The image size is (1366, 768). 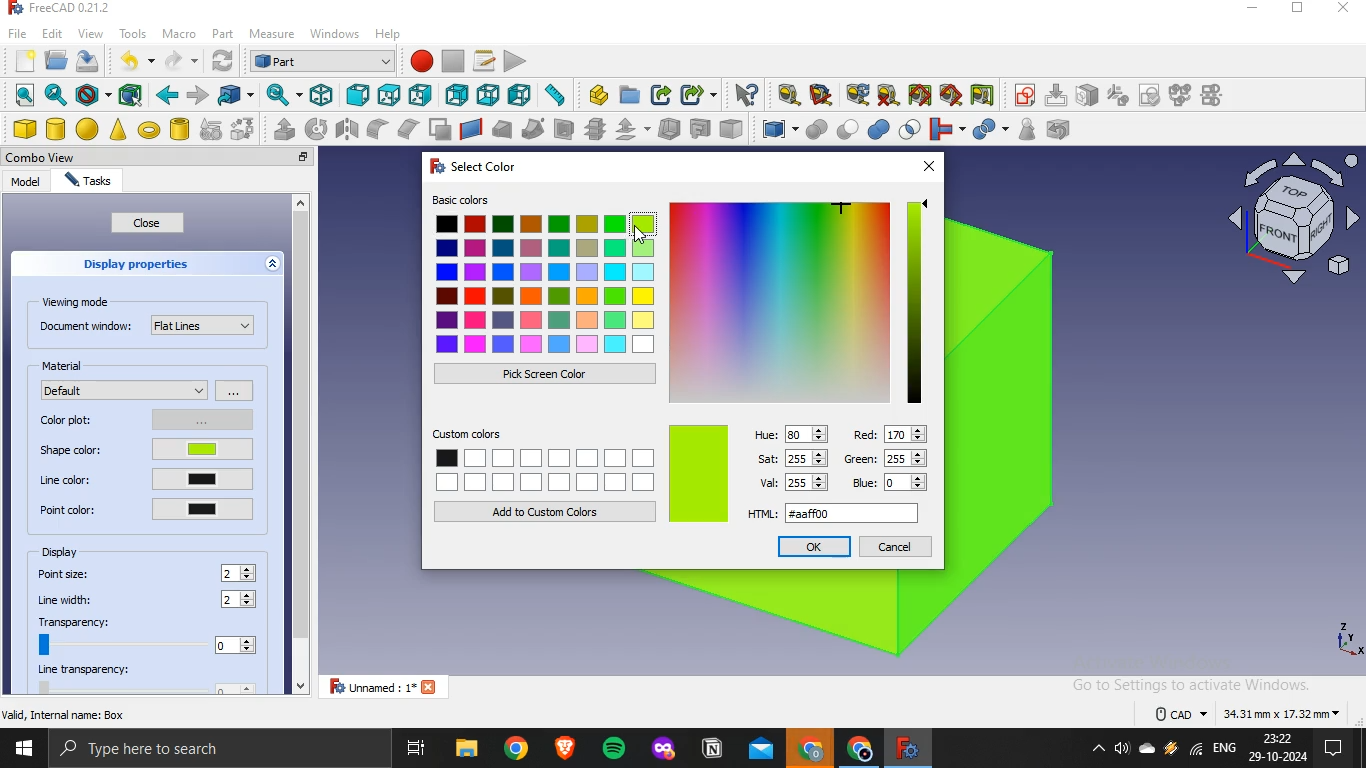 What do you see at coordinates (905, 748) in the screenshot?
I see `freecad` at bounding box center [905, 748].